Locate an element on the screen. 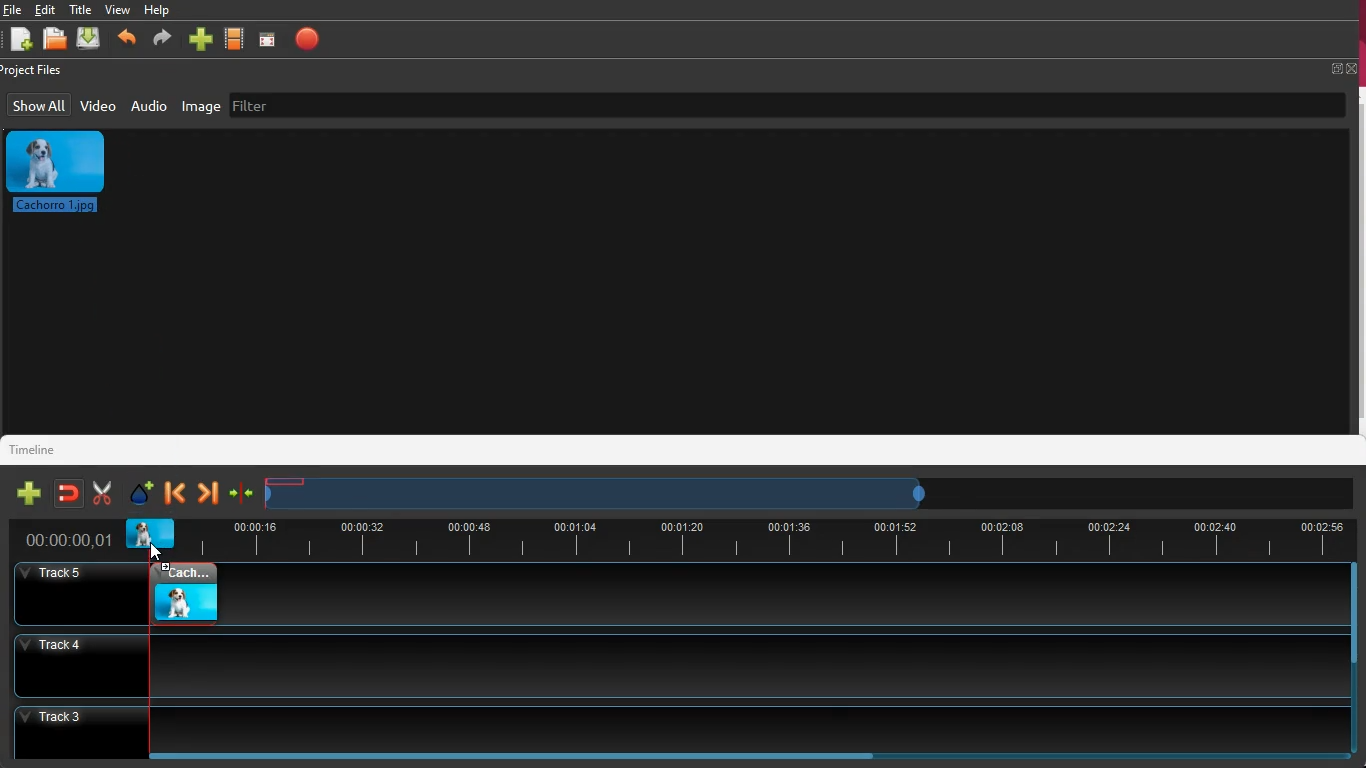 The height and width of the screenshot is (768, 1366). title is located at coordinates (81, 9).